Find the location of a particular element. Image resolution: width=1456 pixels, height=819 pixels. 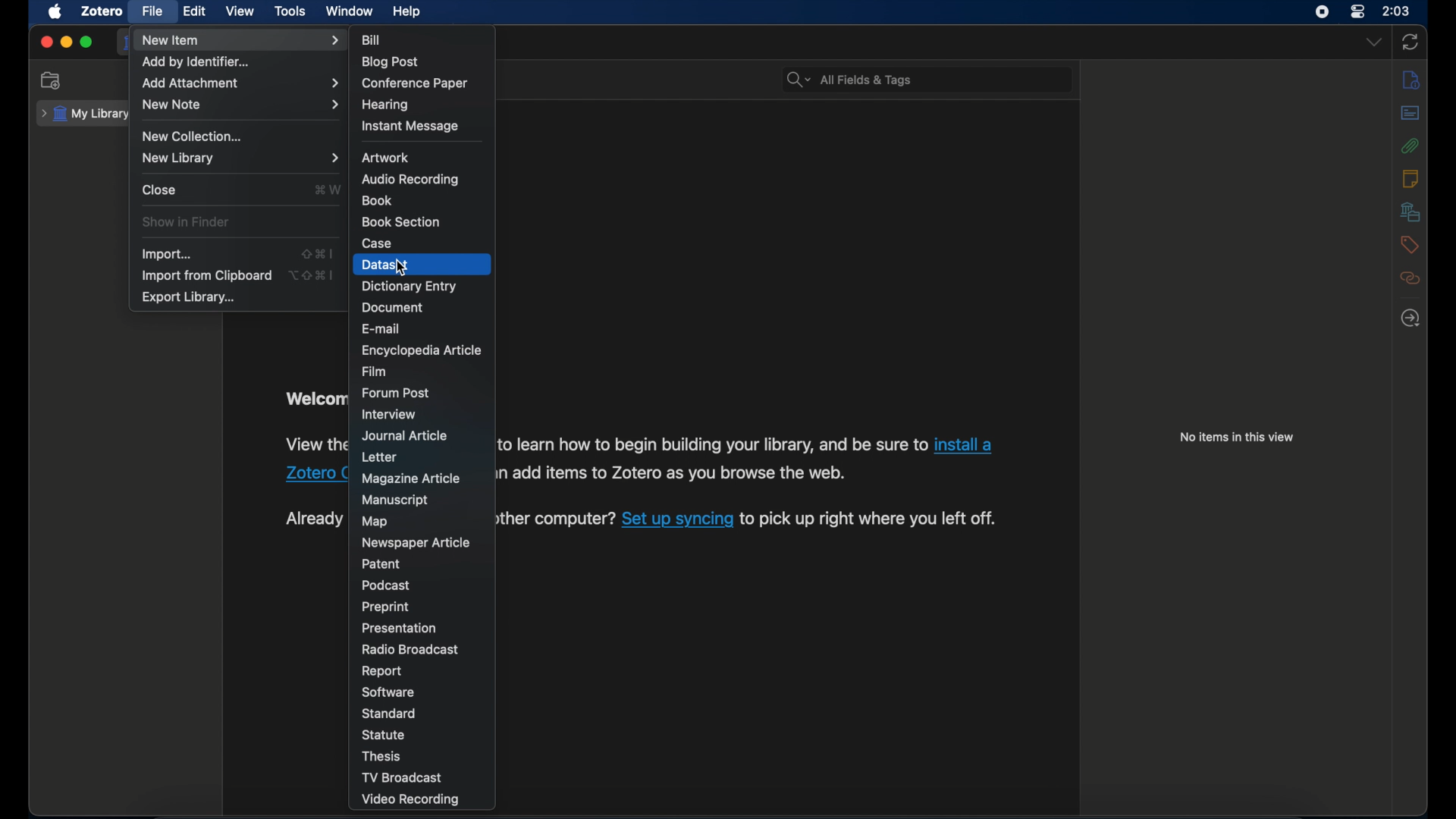

instant message is located at coordinates (409, 127).